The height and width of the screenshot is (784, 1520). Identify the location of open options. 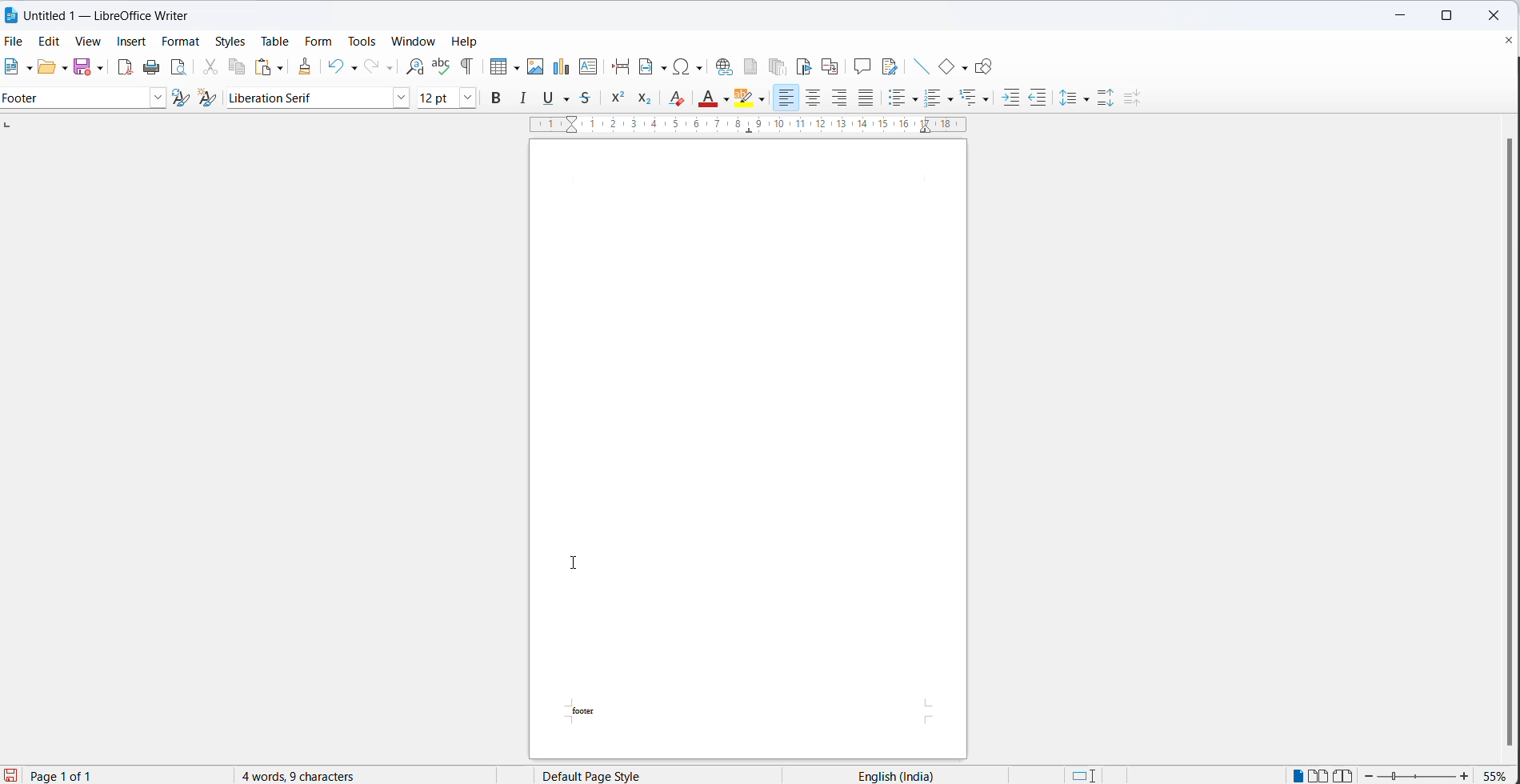
(59, 69).